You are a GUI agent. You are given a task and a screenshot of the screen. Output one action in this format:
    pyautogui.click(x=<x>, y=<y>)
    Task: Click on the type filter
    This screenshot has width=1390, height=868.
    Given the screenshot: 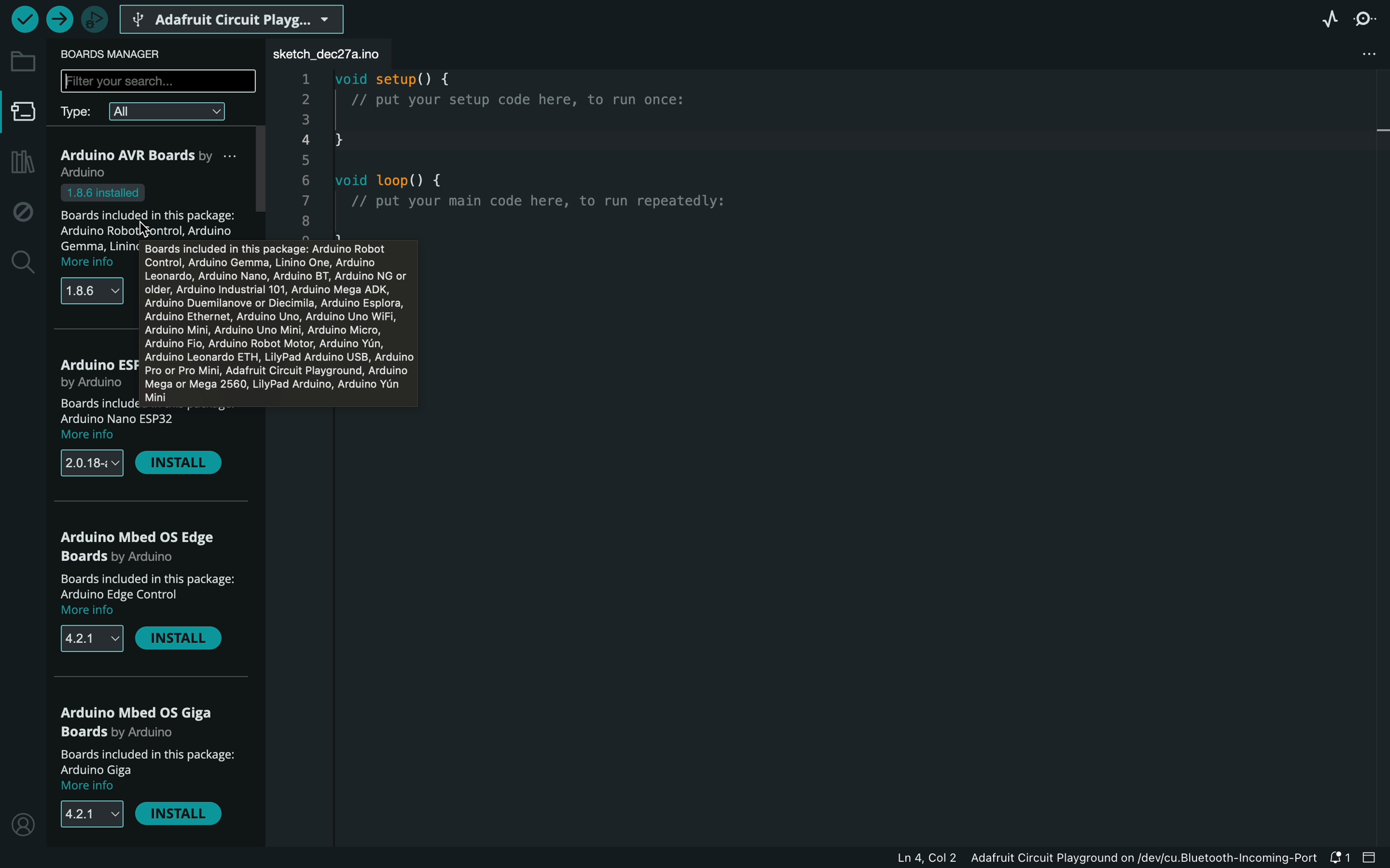 What is the action you would take?
    pyautogui.click(x=79, y=113)
    